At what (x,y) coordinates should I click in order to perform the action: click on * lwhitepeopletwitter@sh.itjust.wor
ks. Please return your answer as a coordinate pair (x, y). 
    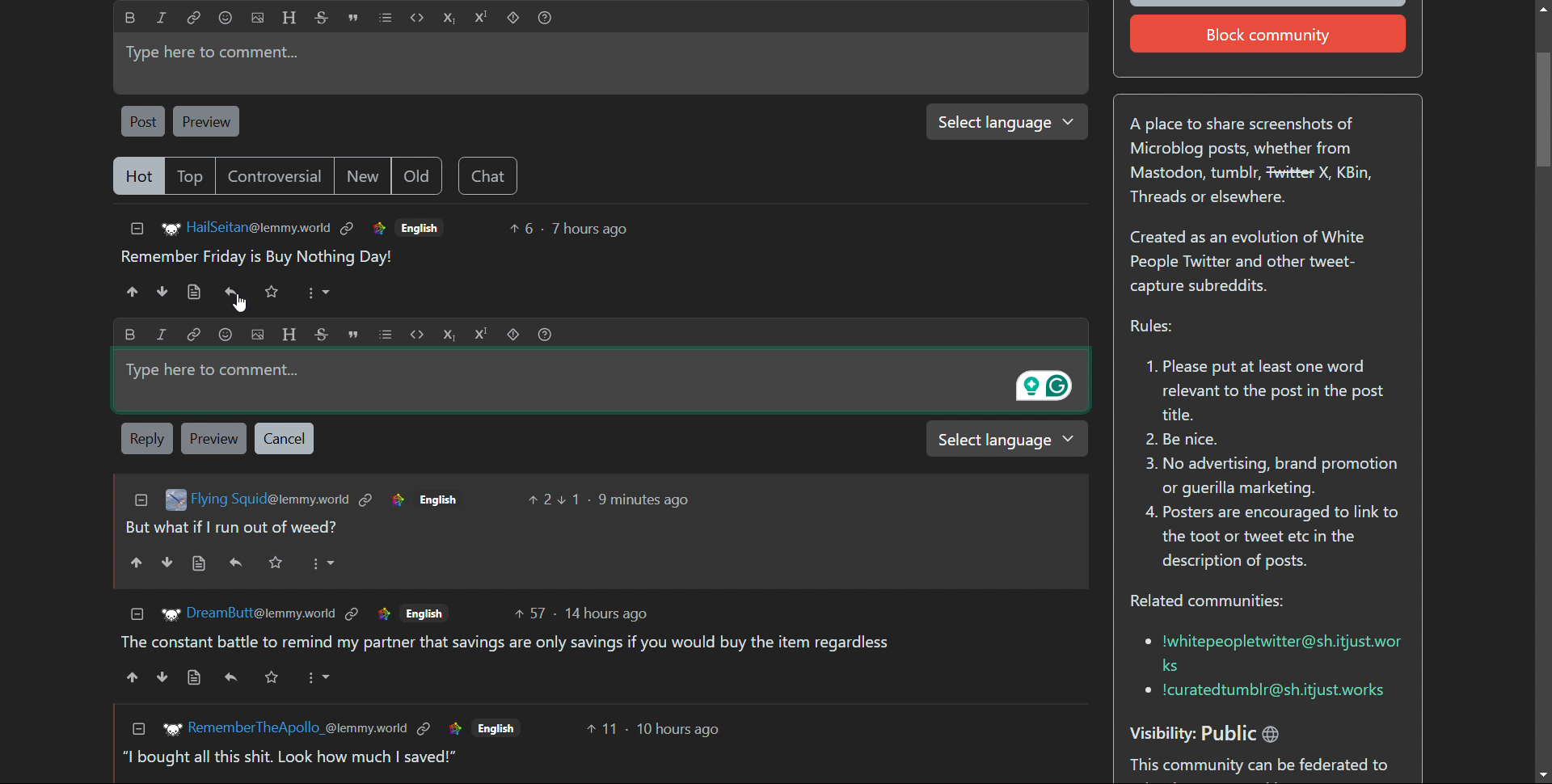
    Looking at the image, I should click on (1269, 651).